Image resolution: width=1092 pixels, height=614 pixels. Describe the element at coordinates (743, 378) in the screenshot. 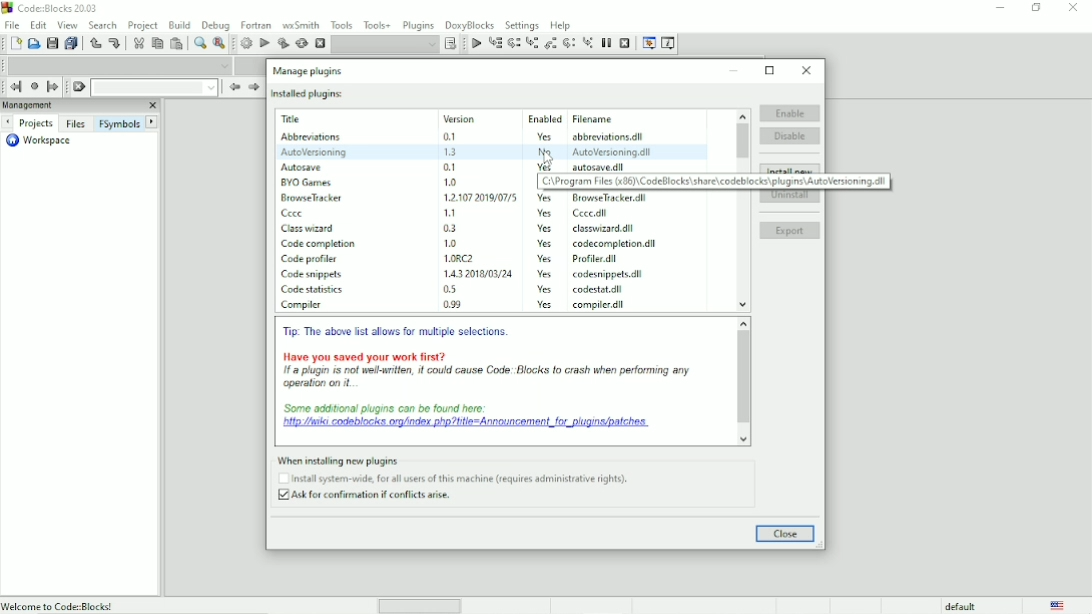

I see `Vertical scrollbar` at that location.